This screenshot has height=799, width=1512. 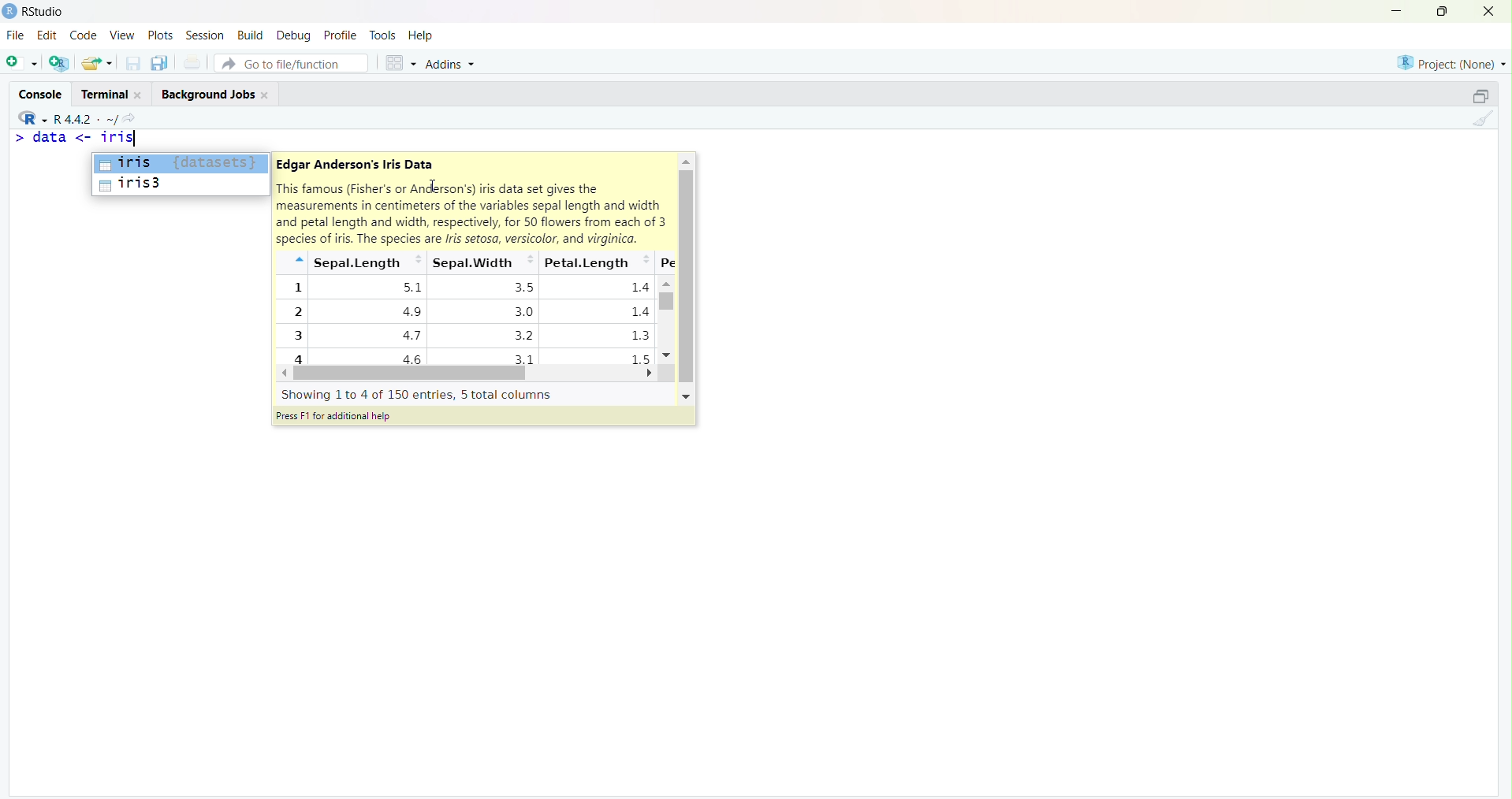 I want to click on Maximize, so click(x=1441, y=12).